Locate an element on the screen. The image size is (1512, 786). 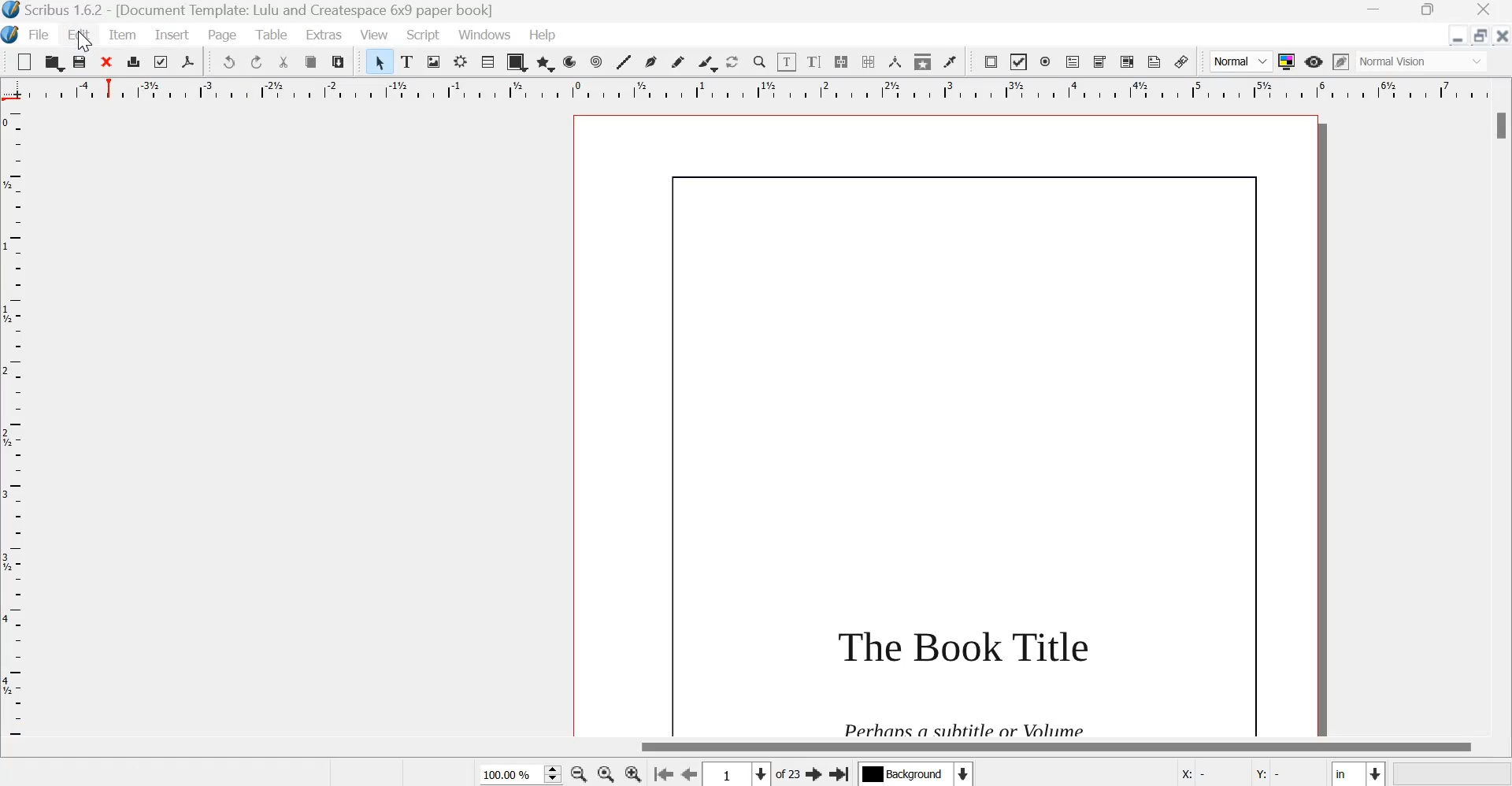
of 23 is located at coordinates (787, 774).